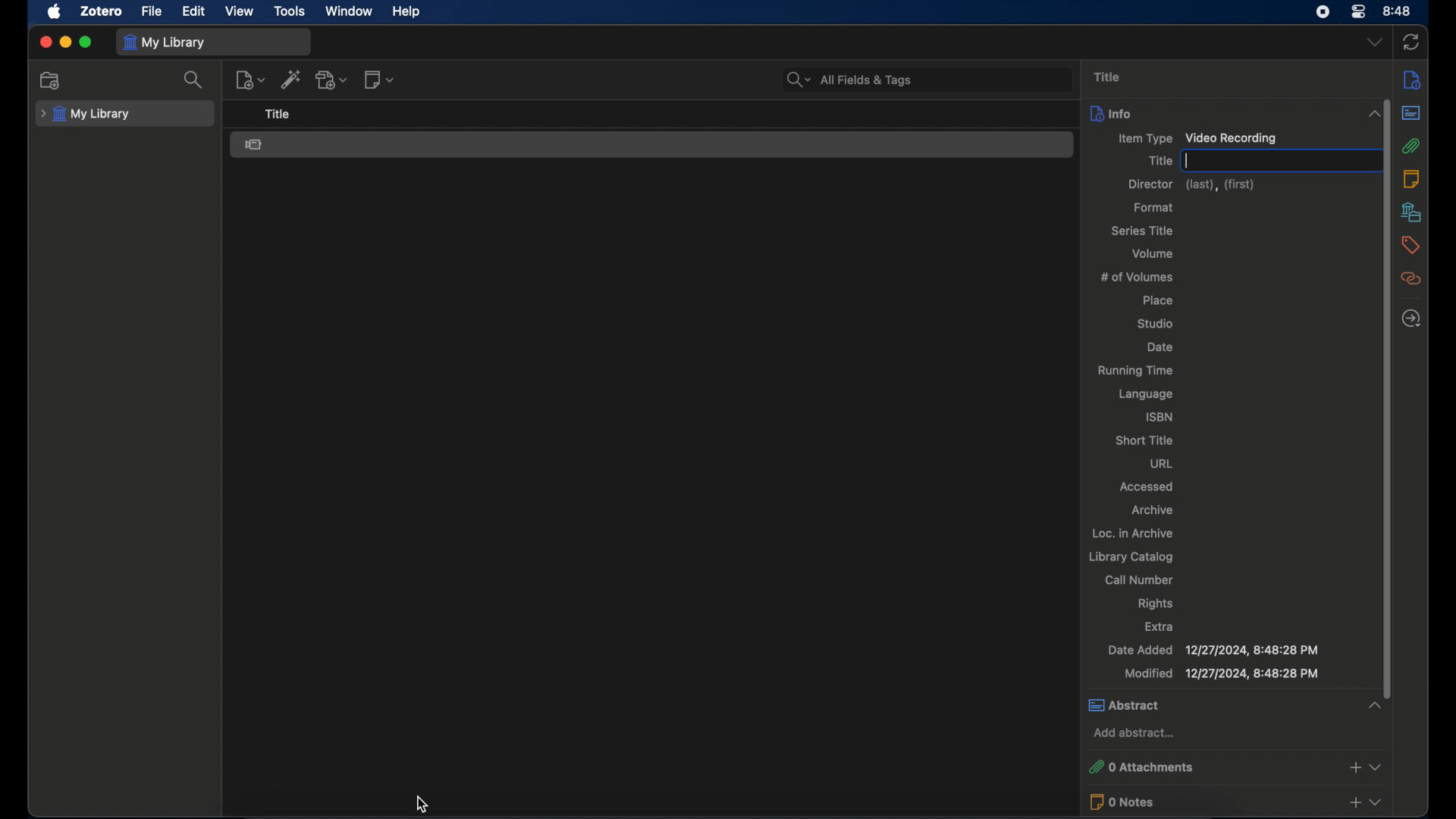 The image size is (1456, 819). What do you see at coordinates (1155, 325) in the screenshot?
I see `studio` at bounding box center [1155, 325].